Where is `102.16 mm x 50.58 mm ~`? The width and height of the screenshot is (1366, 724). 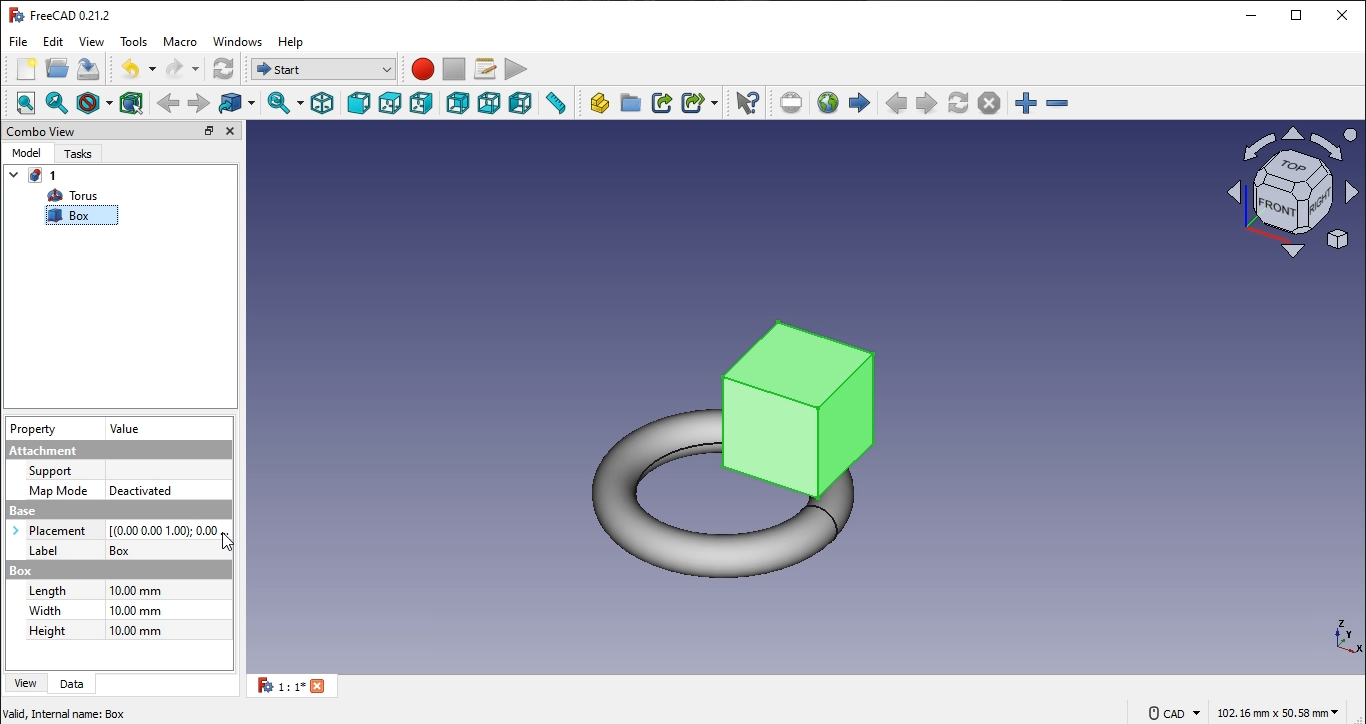
102.16 mm x 50.58 mm ~ is located at coordinates (1276, 712).